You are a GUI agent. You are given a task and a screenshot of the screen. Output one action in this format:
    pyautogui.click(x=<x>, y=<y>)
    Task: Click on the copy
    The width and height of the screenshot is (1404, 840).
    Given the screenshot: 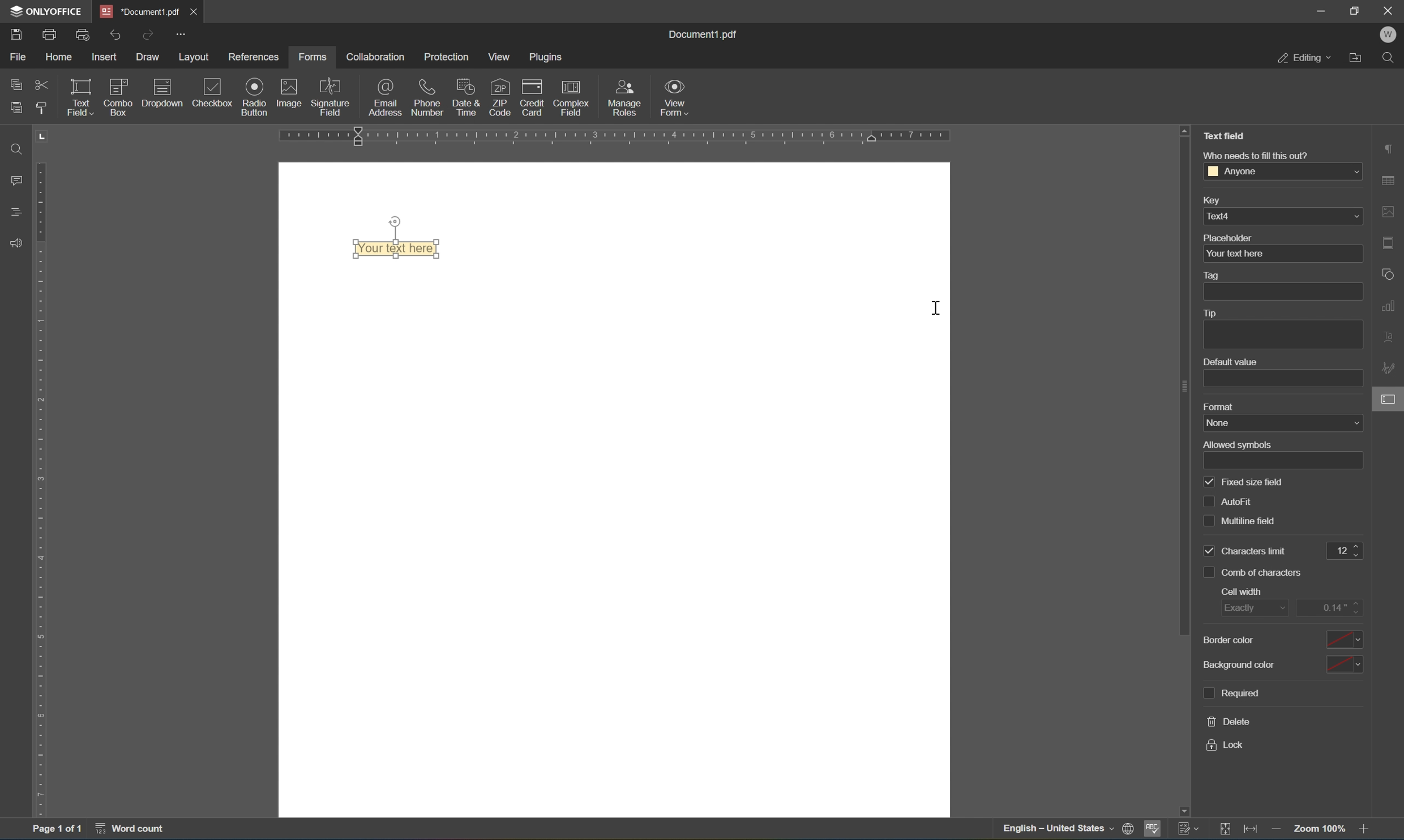 What is the action you would take?
    pyautogui.click(x=16, y=86)
    